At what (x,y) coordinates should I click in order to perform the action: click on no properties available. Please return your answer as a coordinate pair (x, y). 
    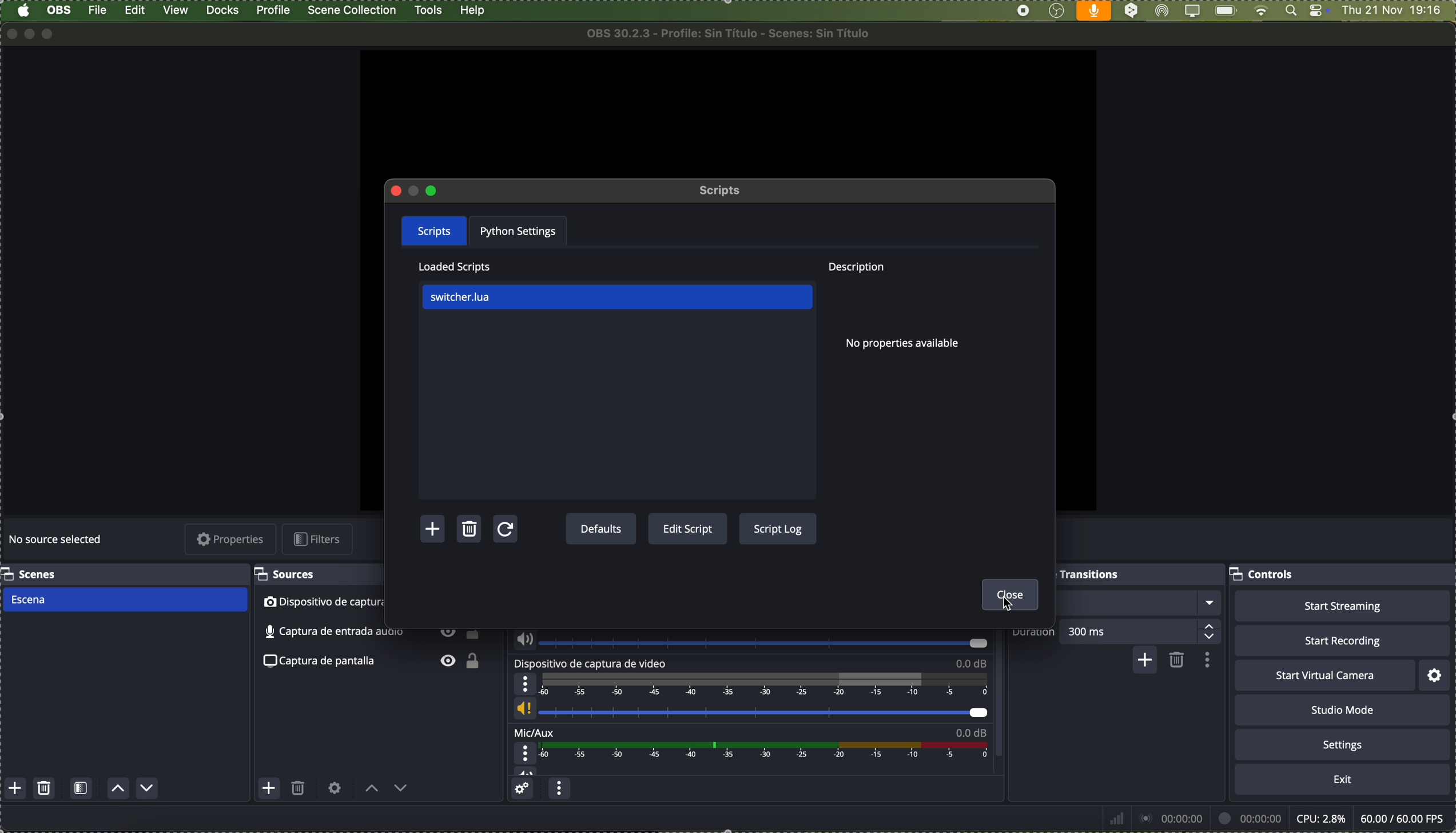
    Looking at the image, I should click on (912, 346).